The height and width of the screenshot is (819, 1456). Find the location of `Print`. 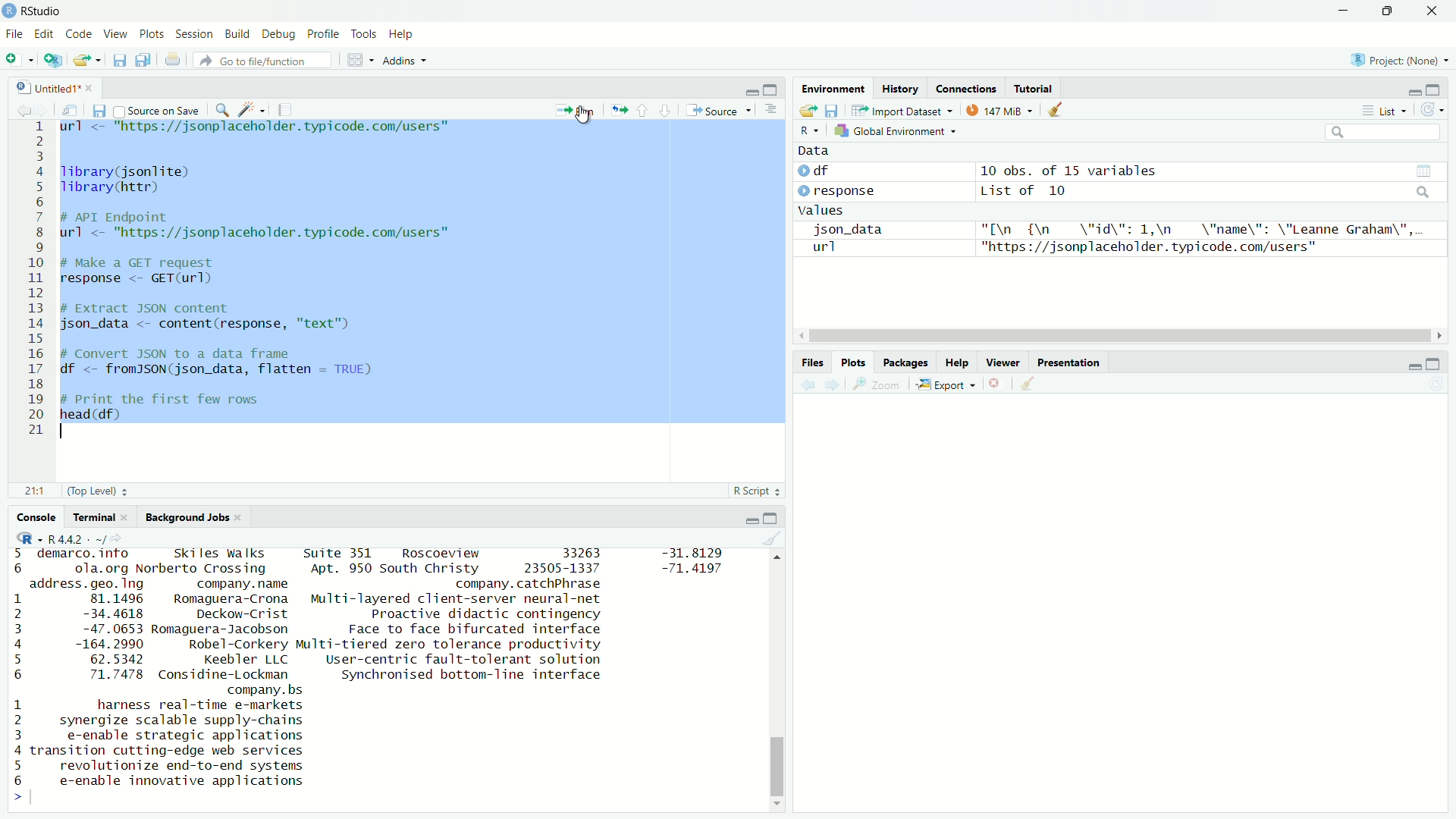

Print is located at coordinates (174, 60).